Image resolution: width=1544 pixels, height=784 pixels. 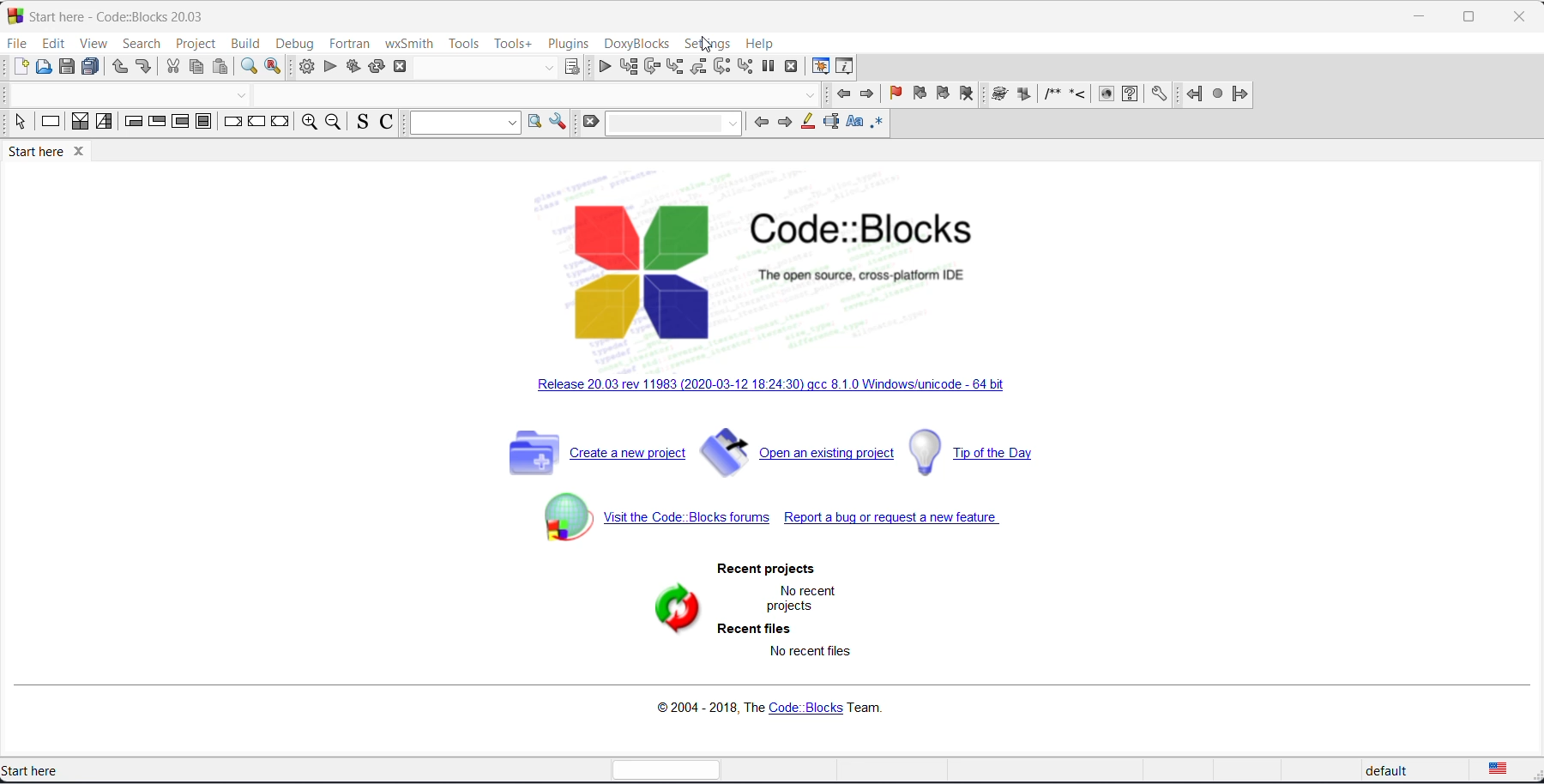 What do you see at coordinates (14, 15) in the screenshot?
I see `logo` at bounding box center [14, 15].